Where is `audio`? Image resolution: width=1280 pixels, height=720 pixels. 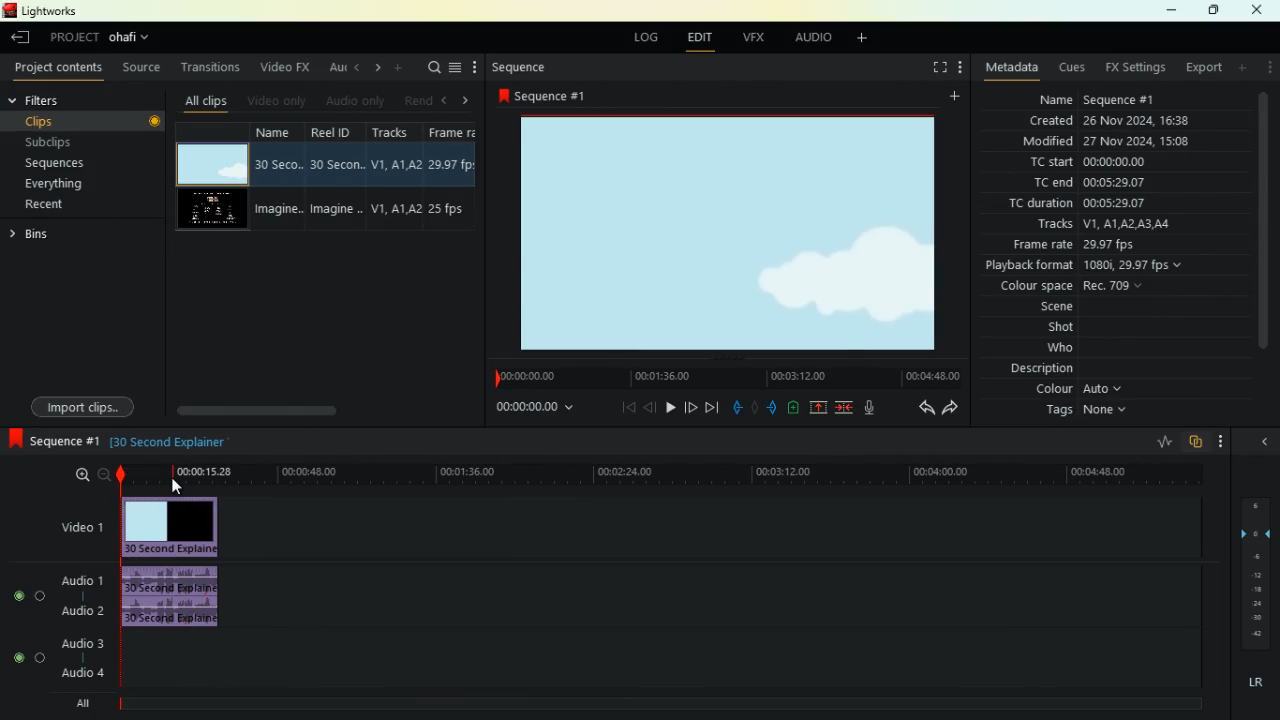
audio is located at coordinates (175, 600).